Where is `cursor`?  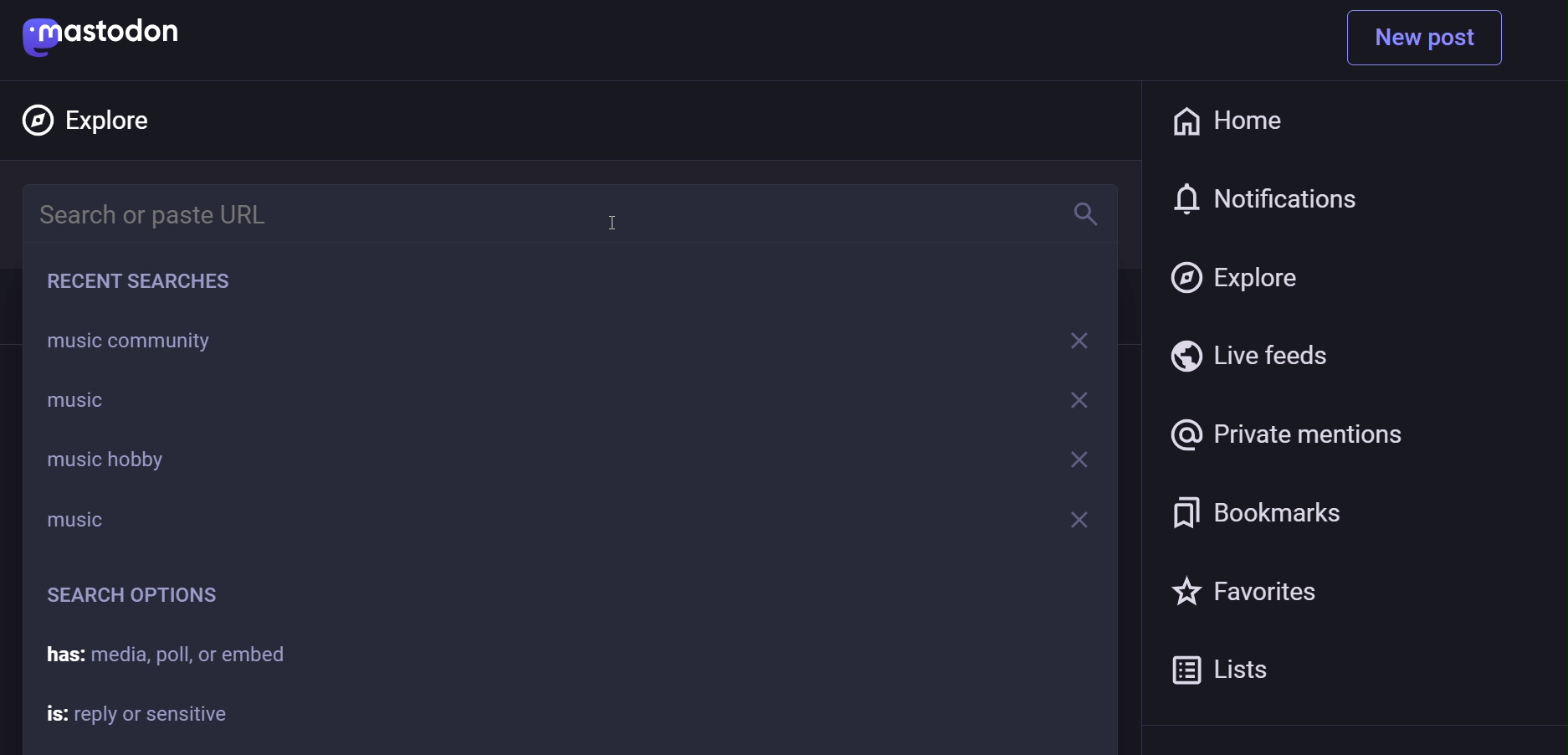 cursor is located at coordinates (611, 225).